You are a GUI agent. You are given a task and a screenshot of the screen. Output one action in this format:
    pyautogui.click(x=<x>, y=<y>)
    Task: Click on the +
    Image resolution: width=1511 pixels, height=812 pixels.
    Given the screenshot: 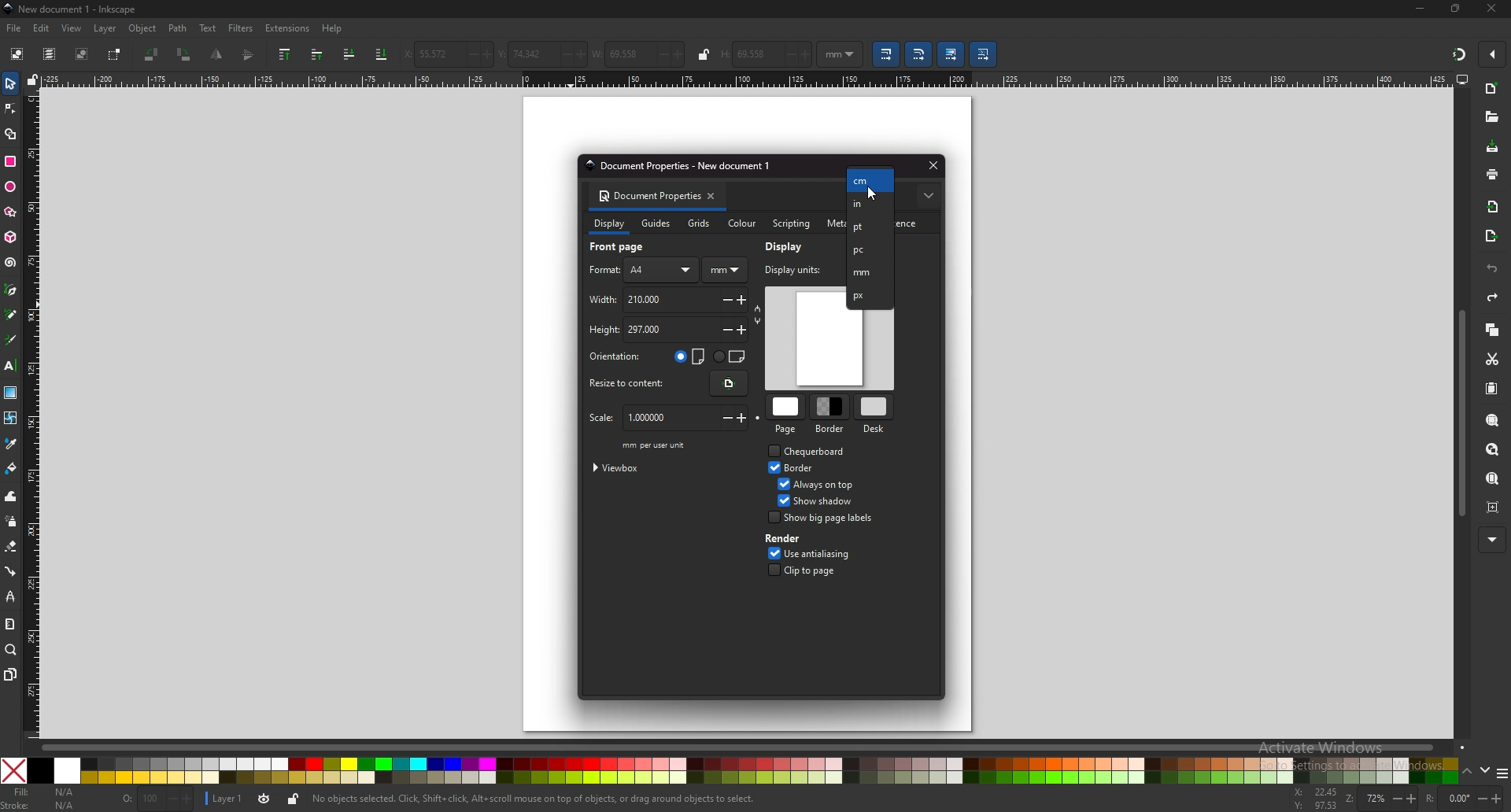 What is the action you would take?
    pyautogui.click(x=486, y=55)
    